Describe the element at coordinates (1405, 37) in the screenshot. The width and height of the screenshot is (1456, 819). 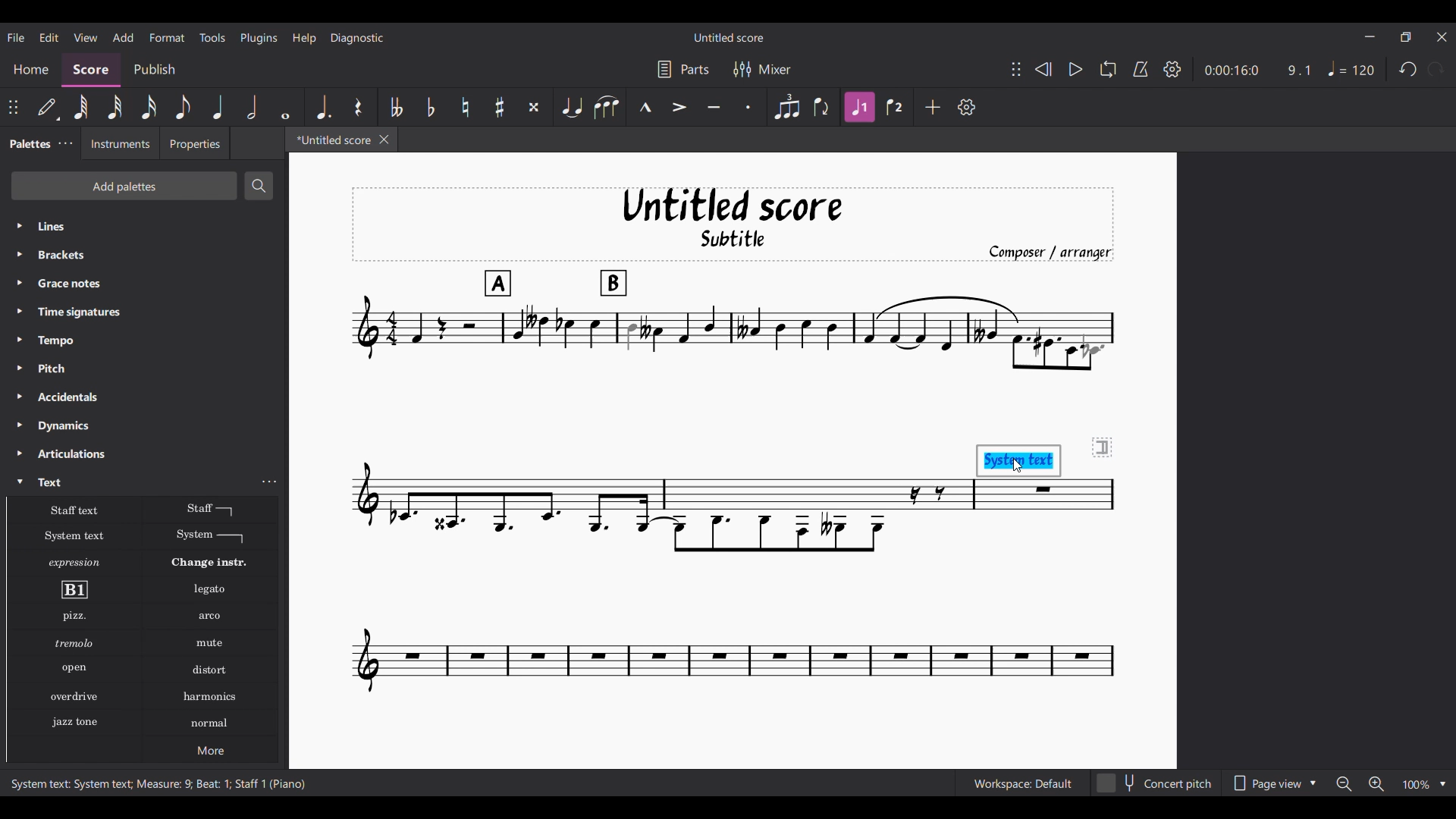
I see `Show in smaller tab` at that location.